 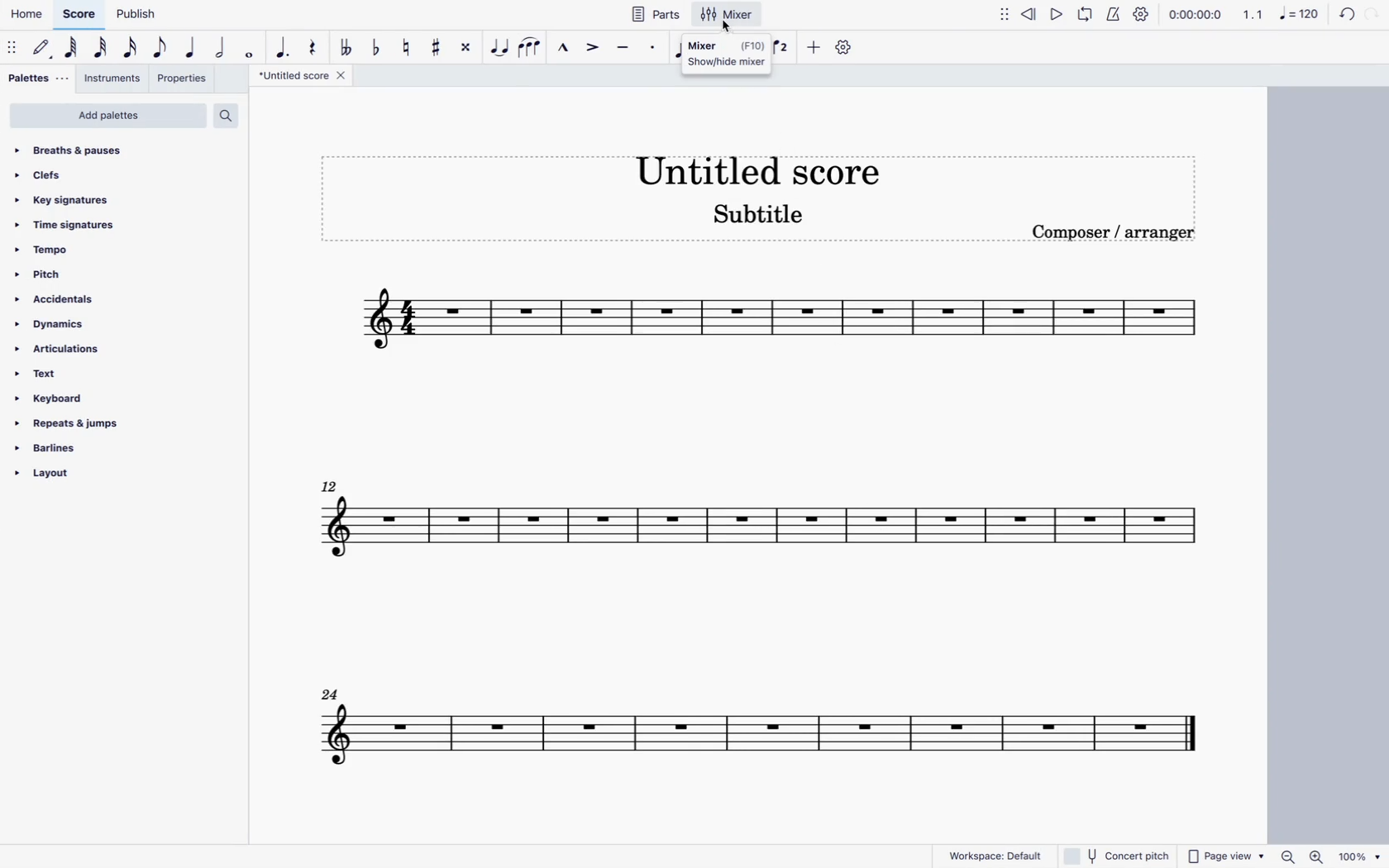 I want to click on scale, so click(x=780, y=324).